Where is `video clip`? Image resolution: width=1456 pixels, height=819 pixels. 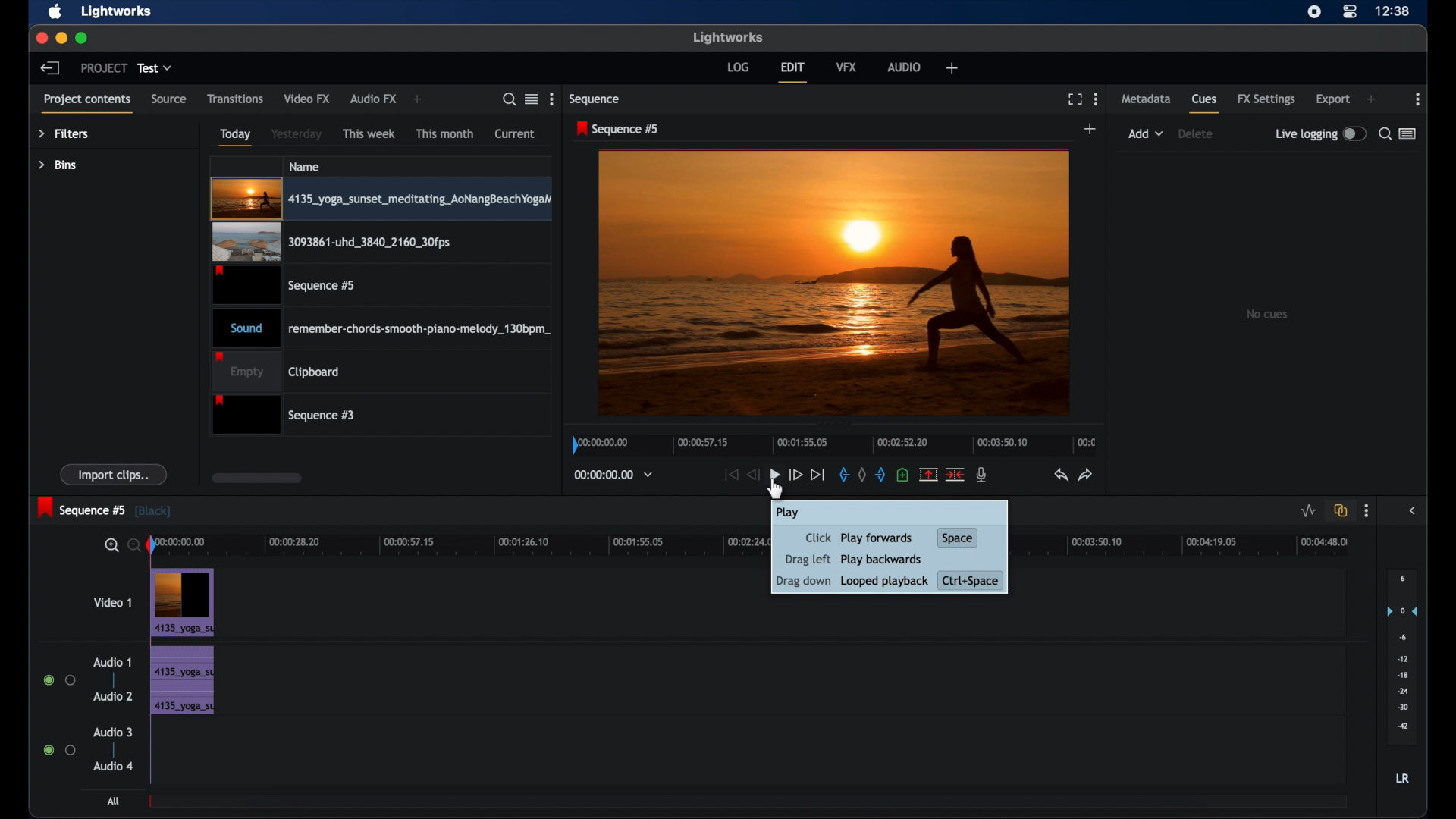
video clip is located at coordinates (282, 286).